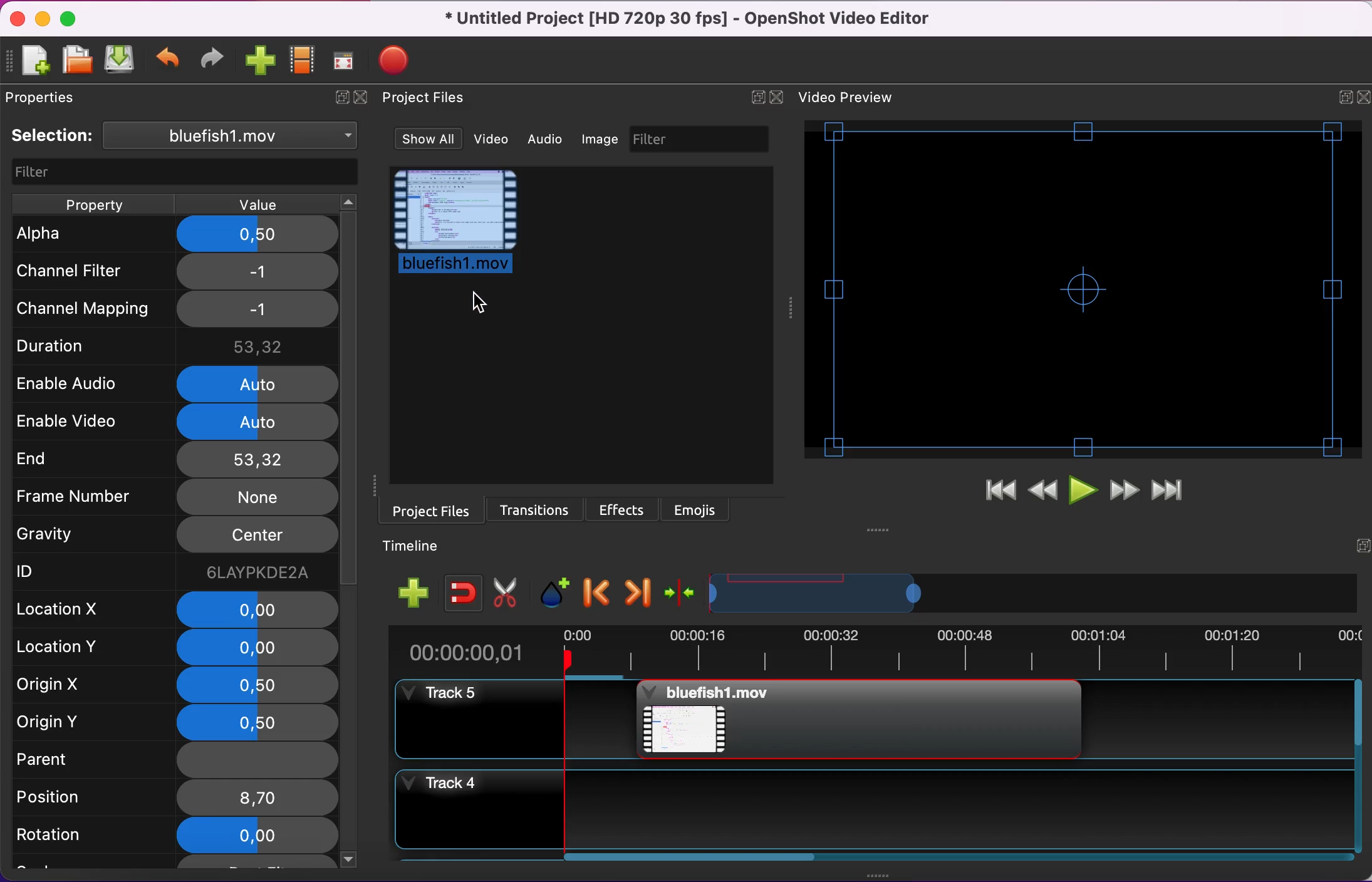 This screenshot has width=1372, height=882. I want to click on 8,7, so click(255, 798).